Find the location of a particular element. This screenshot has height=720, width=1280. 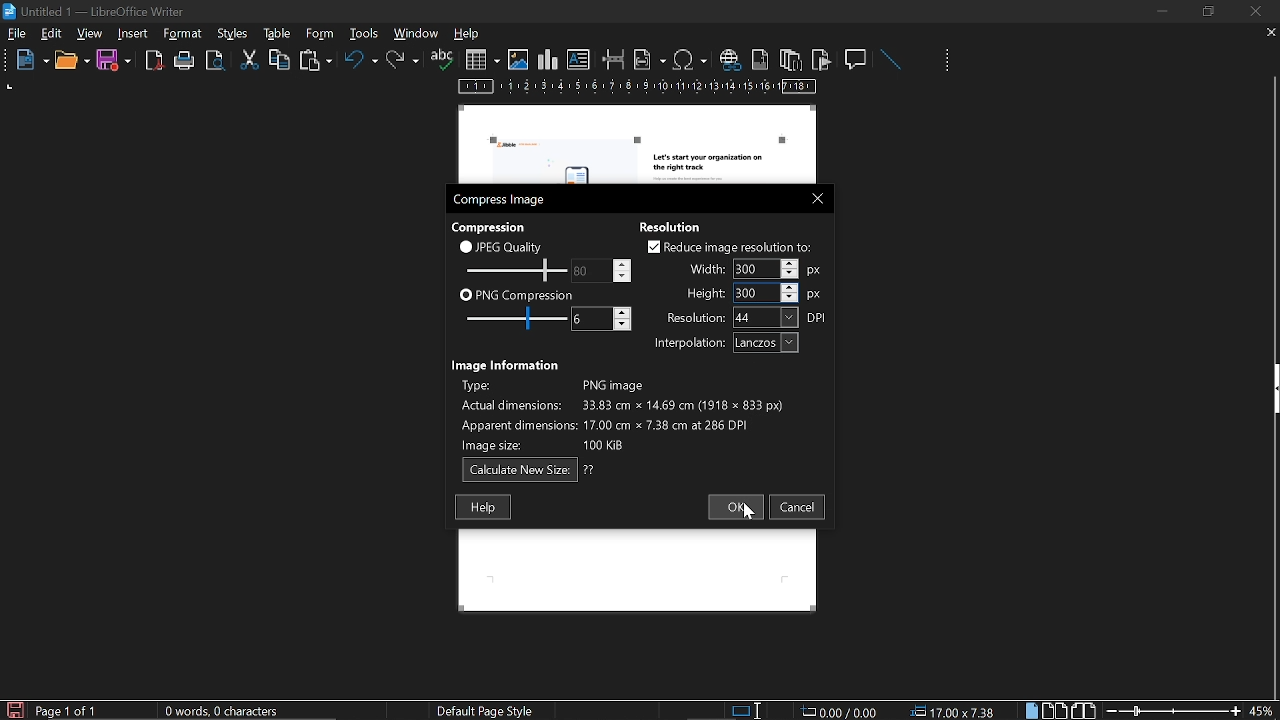

table is located at coordinates (319, 33).